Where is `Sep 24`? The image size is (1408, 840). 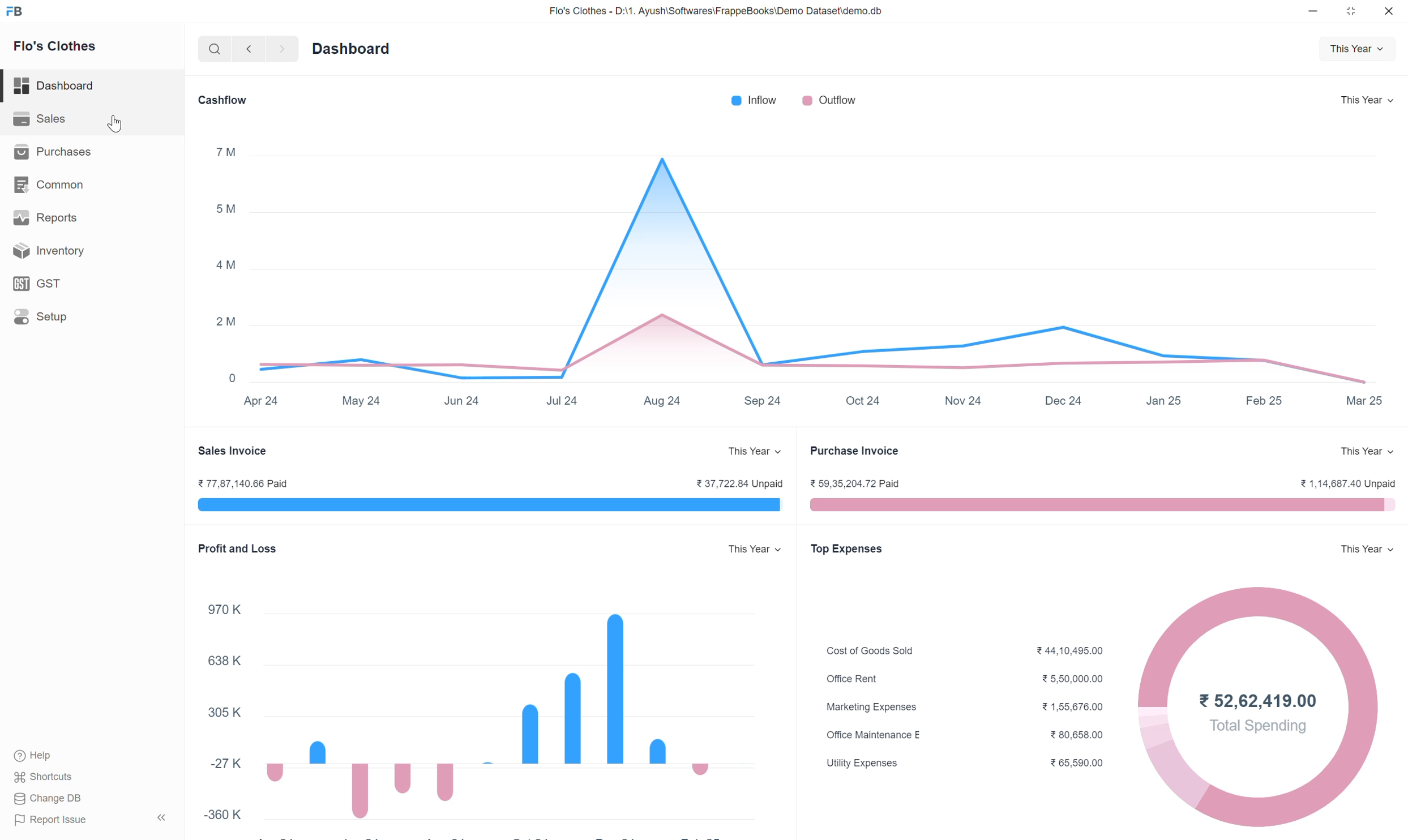 Sep 24 is located at coordinates (764, 401).